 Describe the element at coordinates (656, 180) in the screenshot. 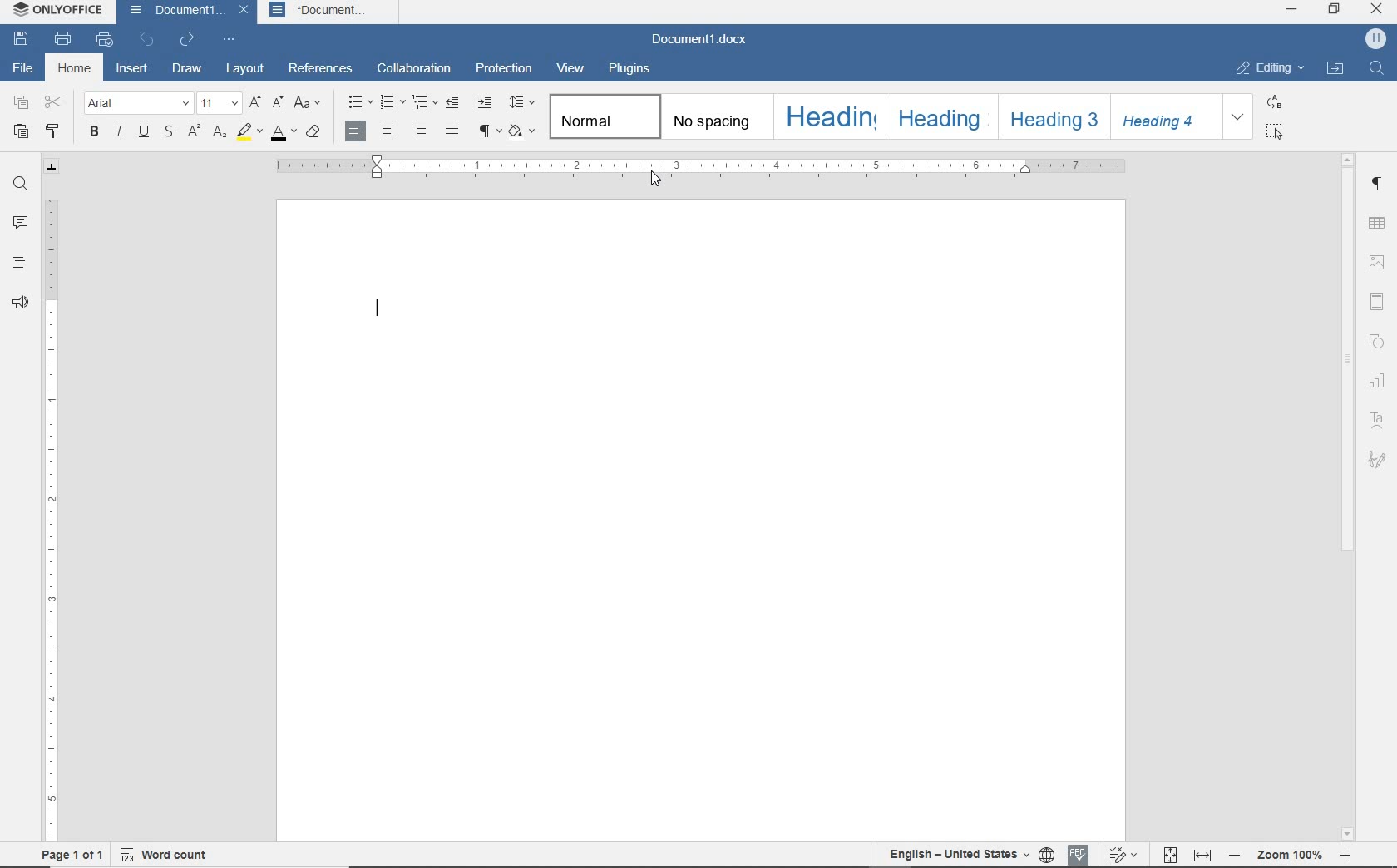

I see `CURSOR AT RULER` at that location.